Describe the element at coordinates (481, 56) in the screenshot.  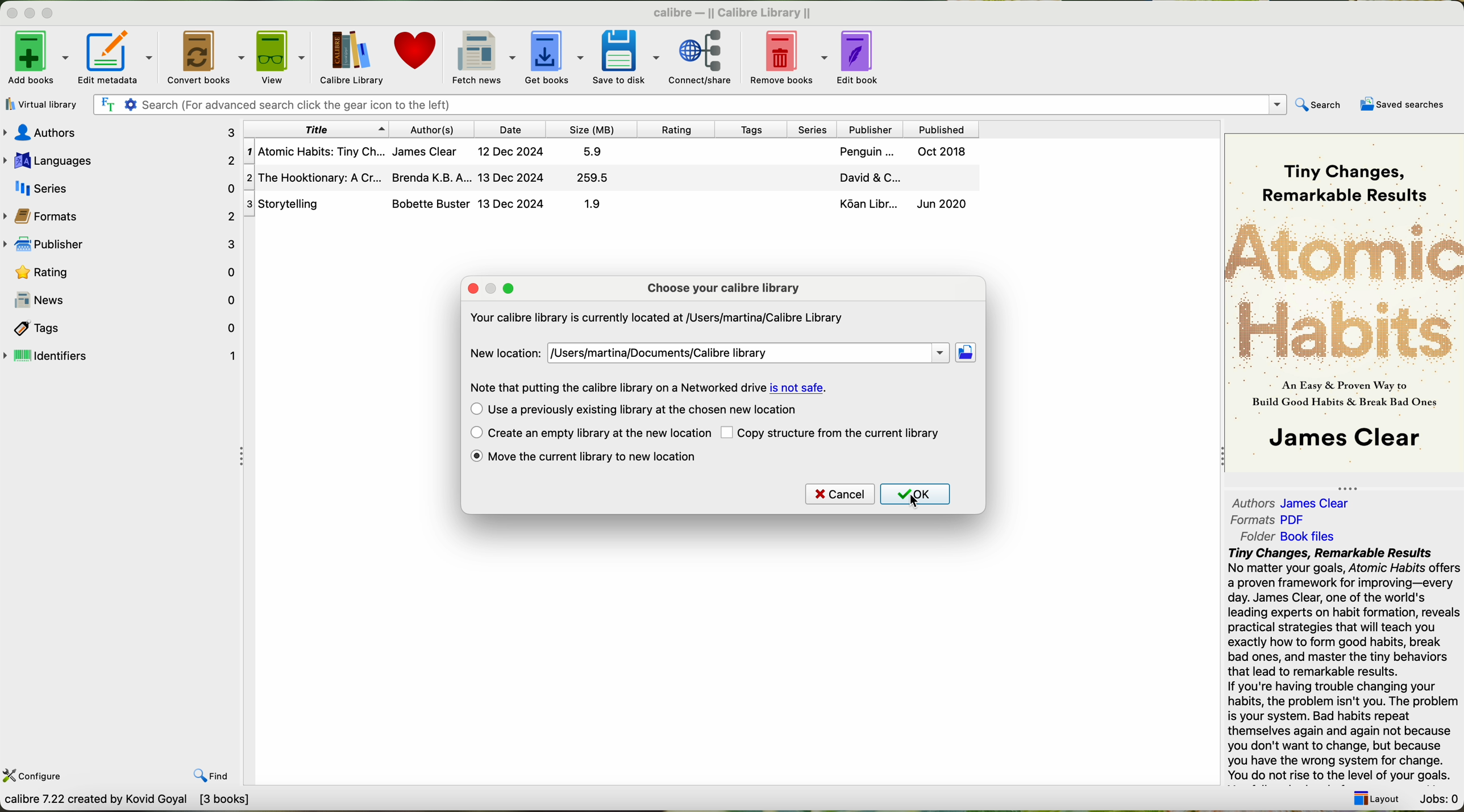
I see `fetch news` at that location.